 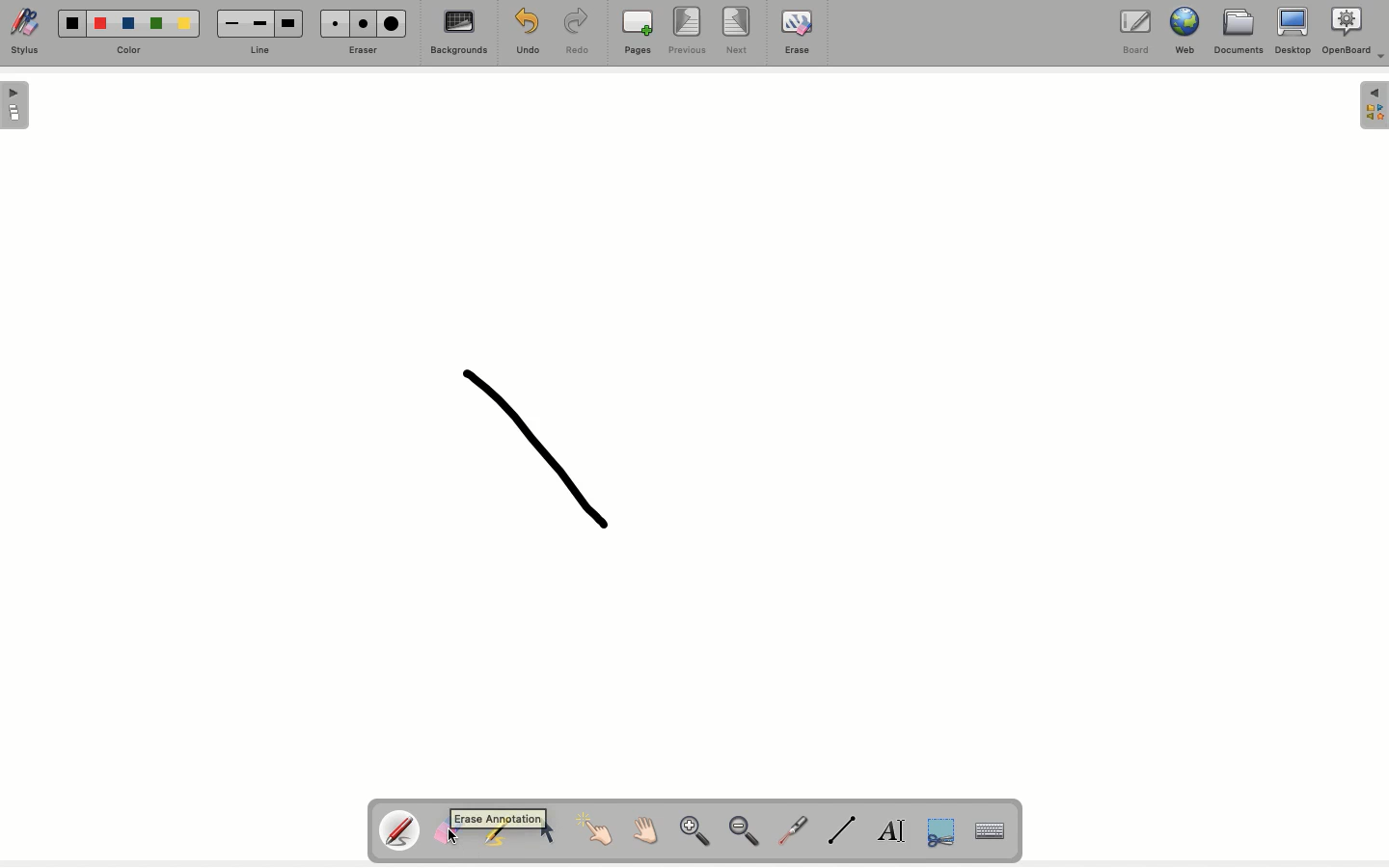 What do you see at coordinates (991, 830) in the screenshot?
I see `Keyboard` at bounding box center [991, 830].